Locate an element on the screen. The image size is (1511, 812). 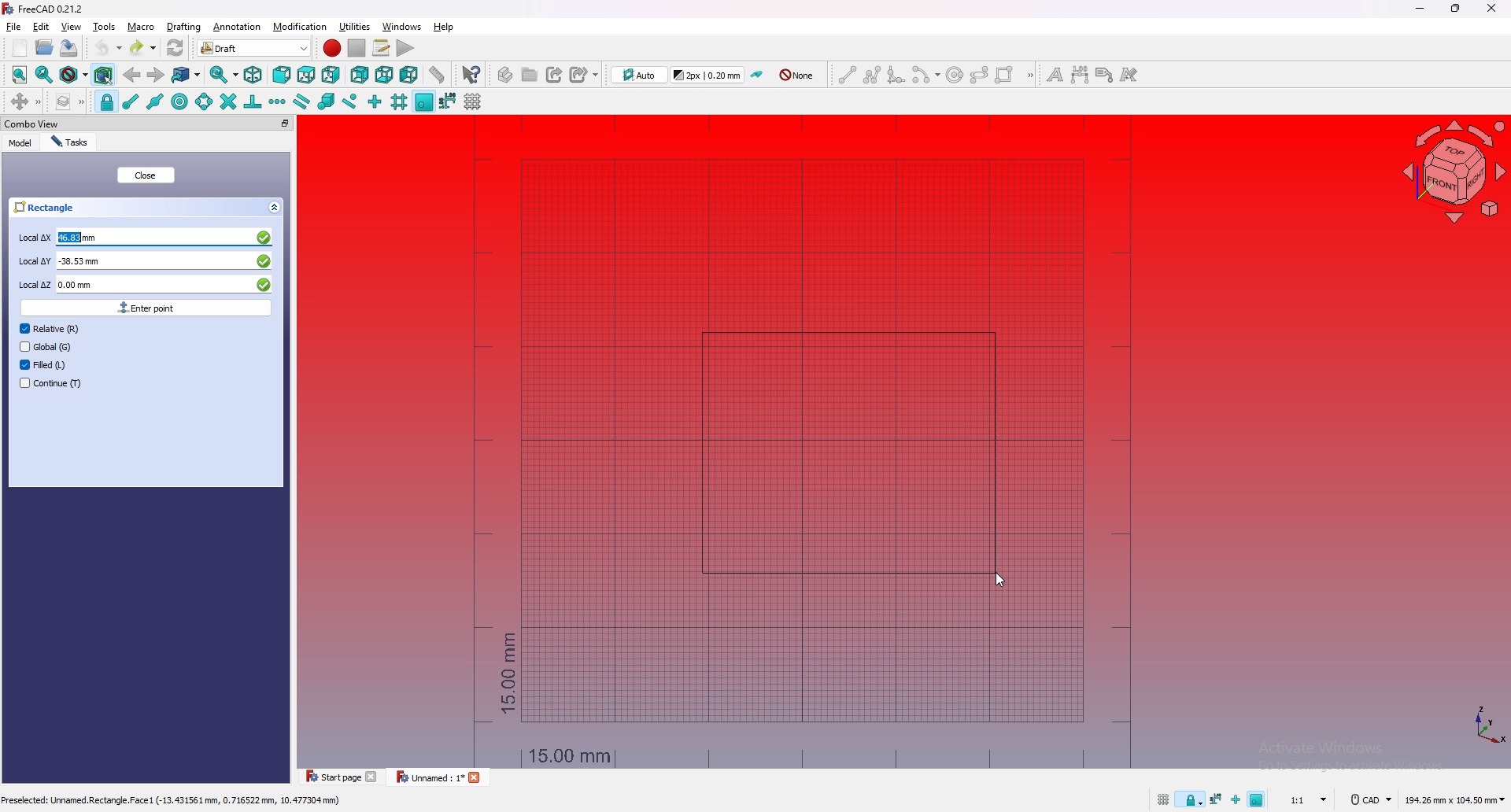
rectangle is located at coordinates (852, 461).